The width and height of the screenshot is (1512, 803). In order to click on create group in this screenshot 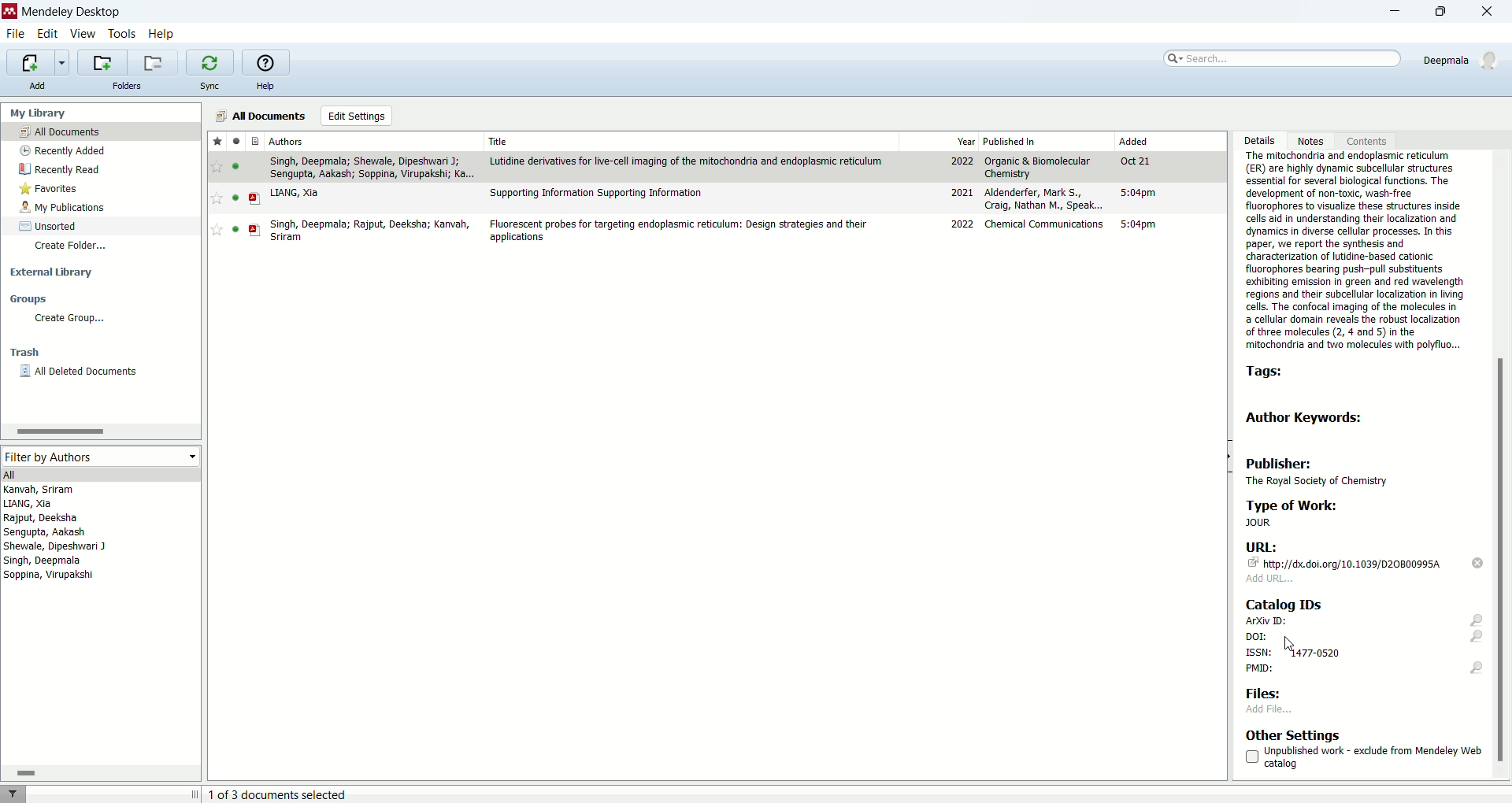, I will do `click(71, 318)`.